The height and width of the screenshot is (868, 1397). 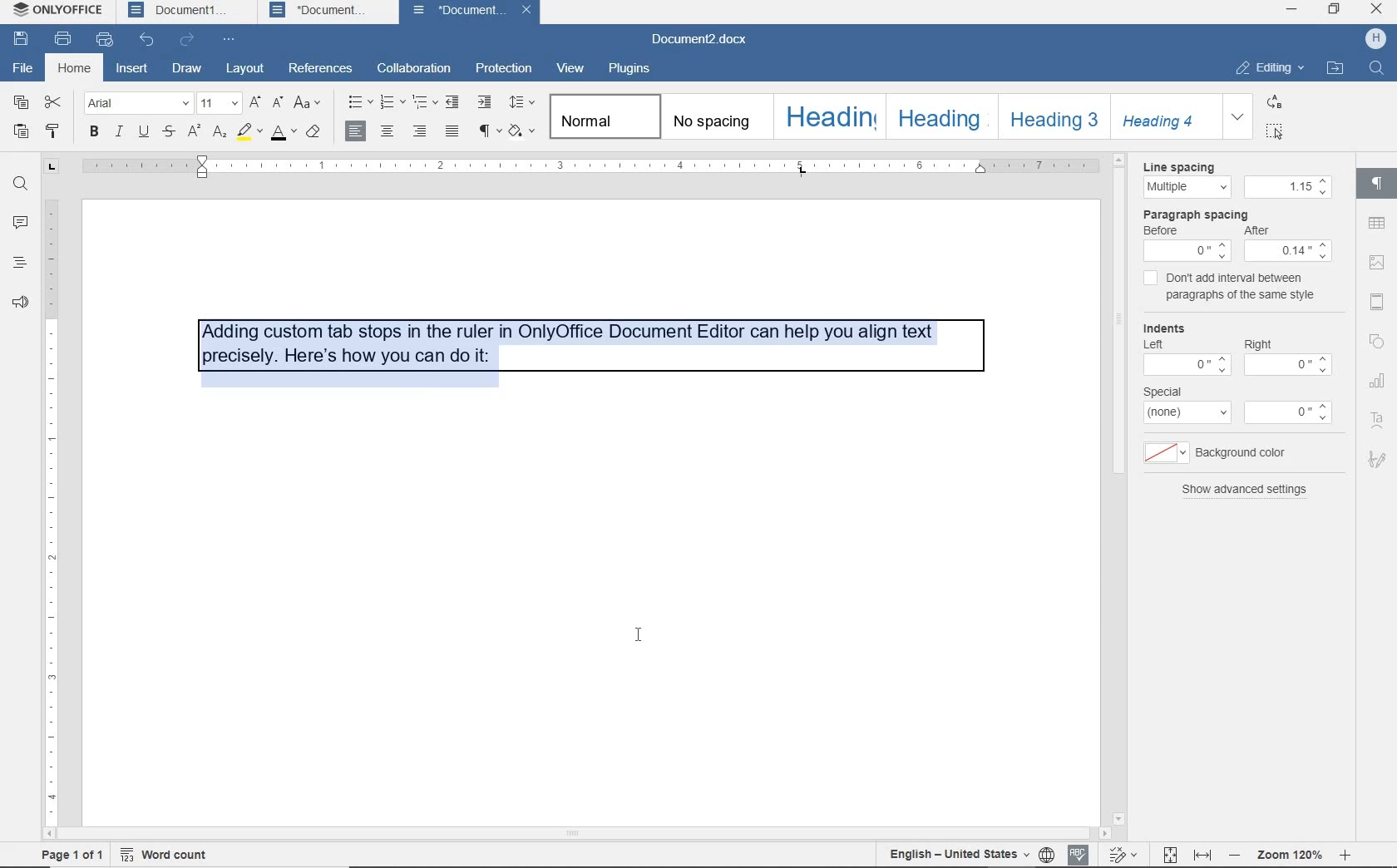 What do you see at coordinates (1254, 496) in the screenshot?
I see `Show advanced settings` at bounding box center [1254, 496].